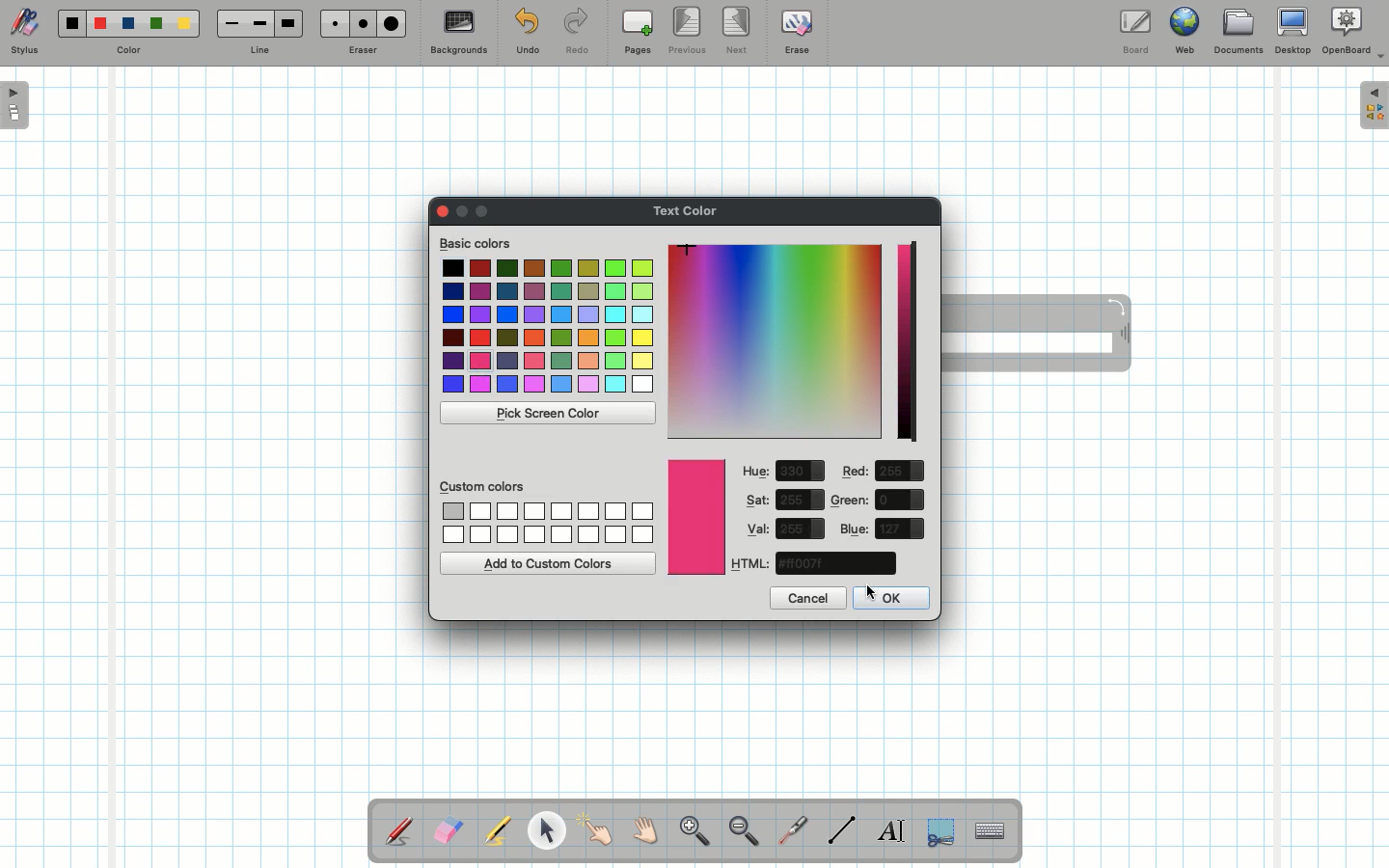 This screenshot has width=1389, height=868. I want to click on color code, so click(834, 563).